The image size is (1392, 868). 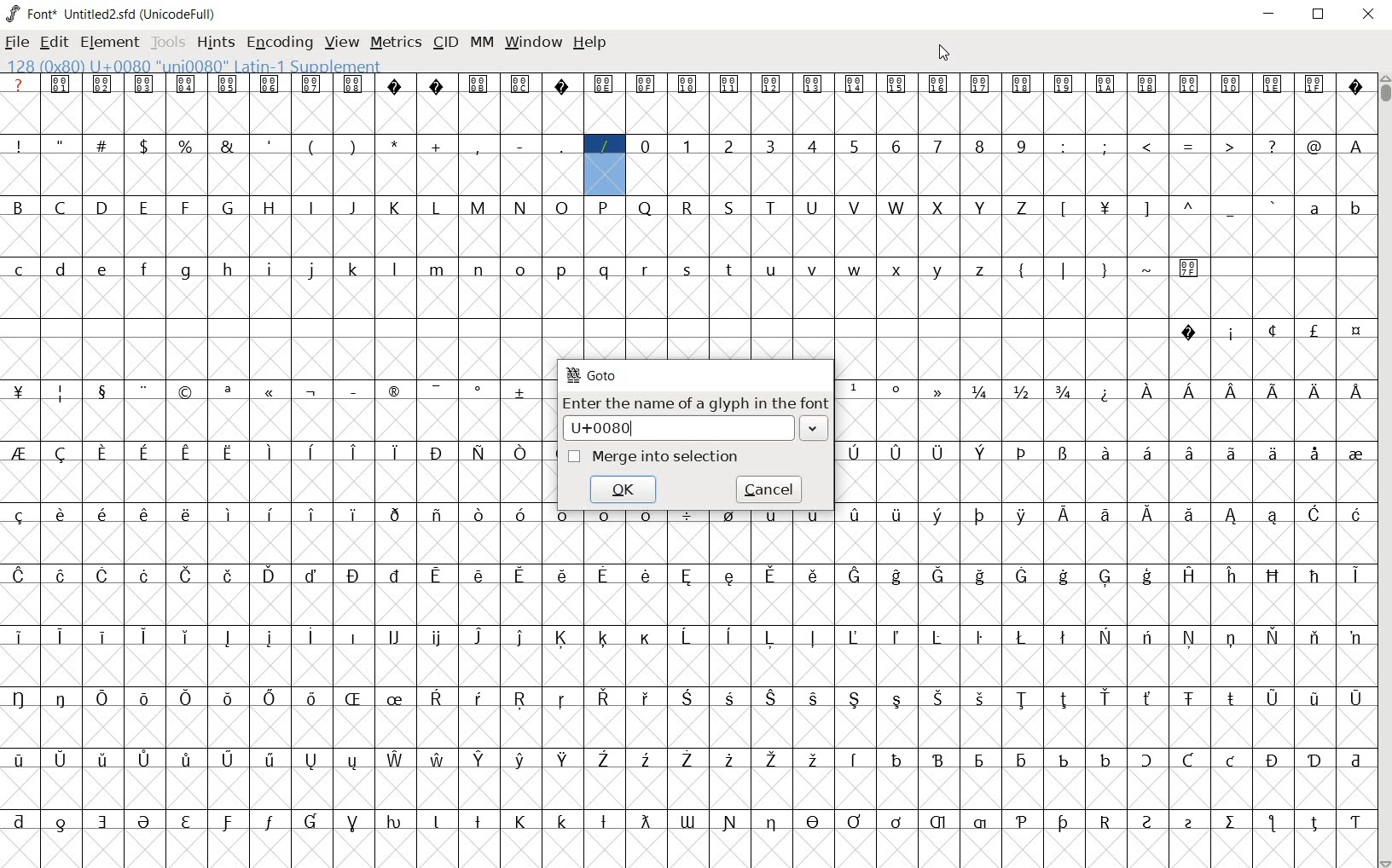 What do you see at coordinates (897, 389) in the screenshot?
I see `glyph` at bounding box center [897, 389].